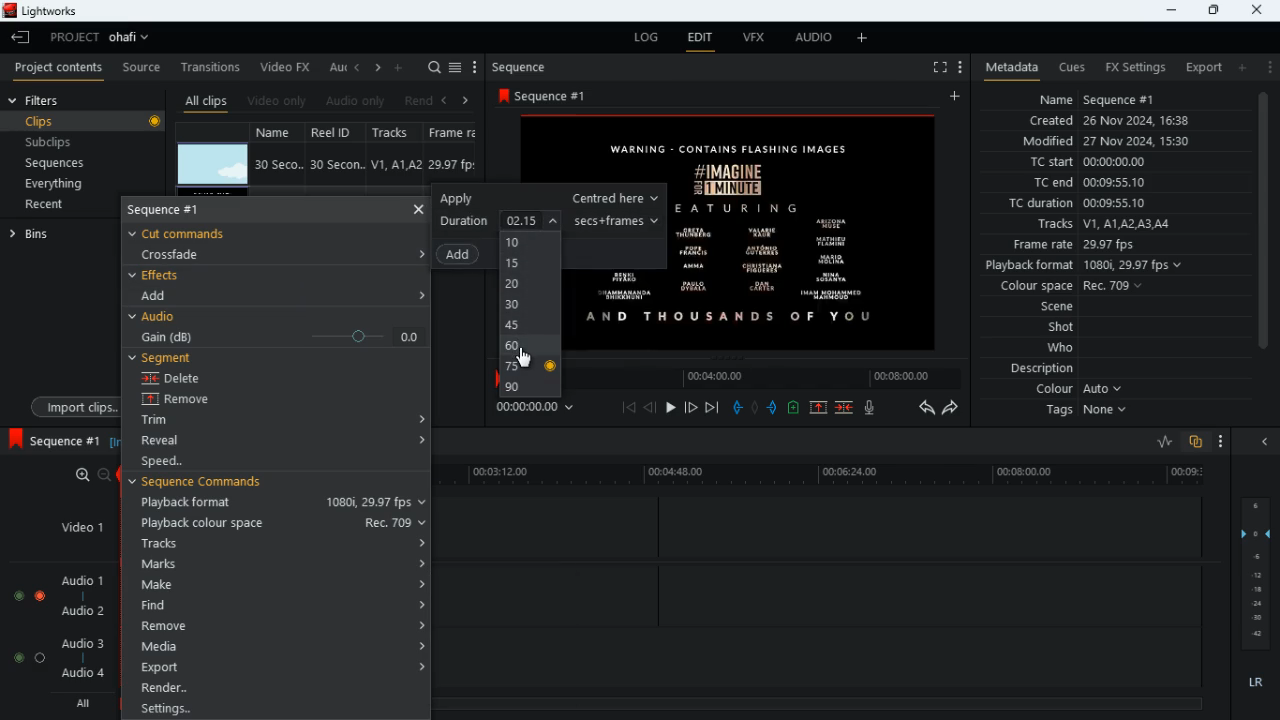 This screenshot has width=1280, height=720. Describe the element at coordinates (618, 220) in the screenshot. I see `secs + frames` at that location.